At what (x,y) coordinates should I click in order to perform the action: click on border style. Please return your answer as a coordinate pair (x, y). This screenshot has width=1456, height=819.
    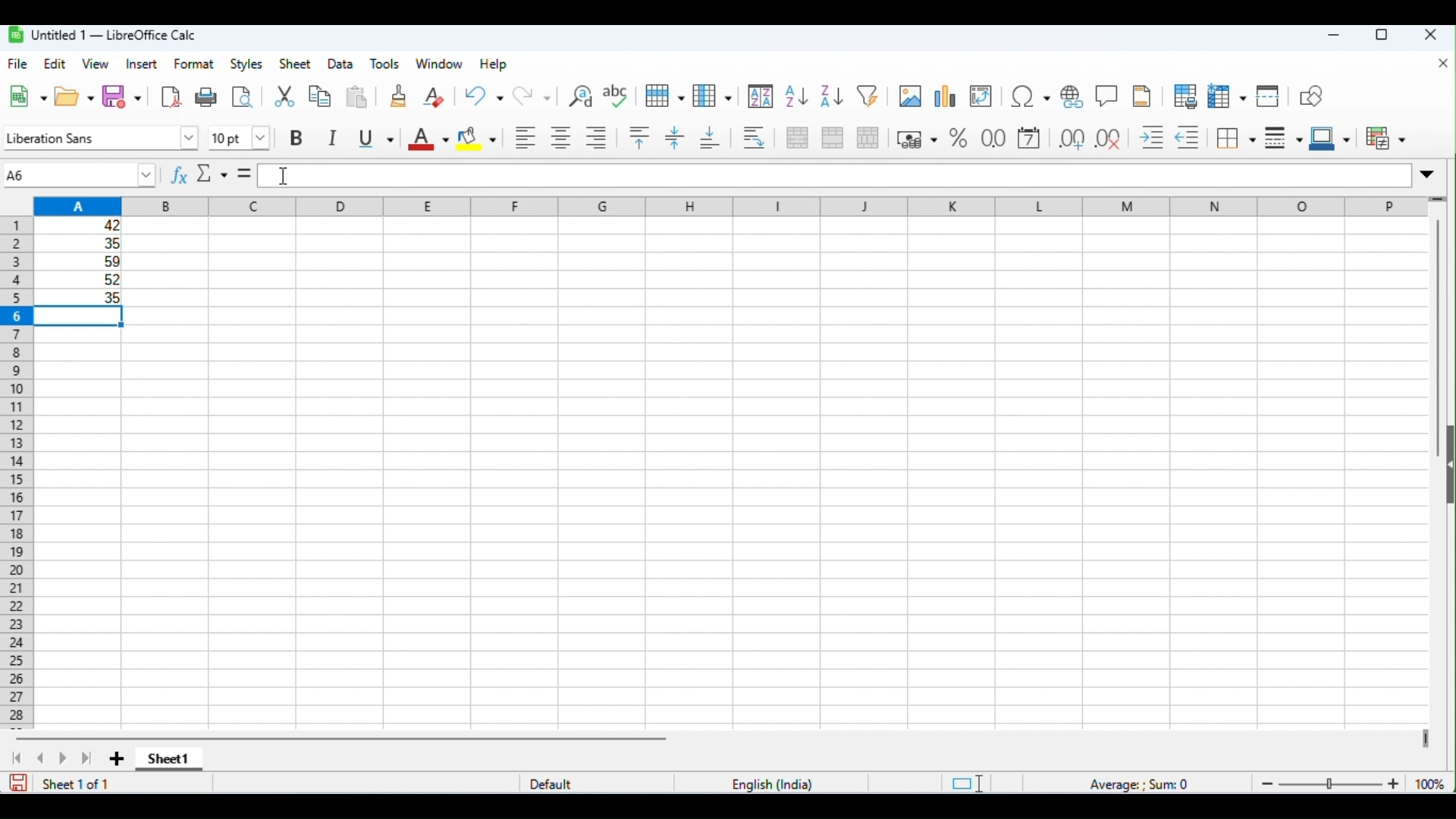
    Looking at the image, I should click on (1280, 140).